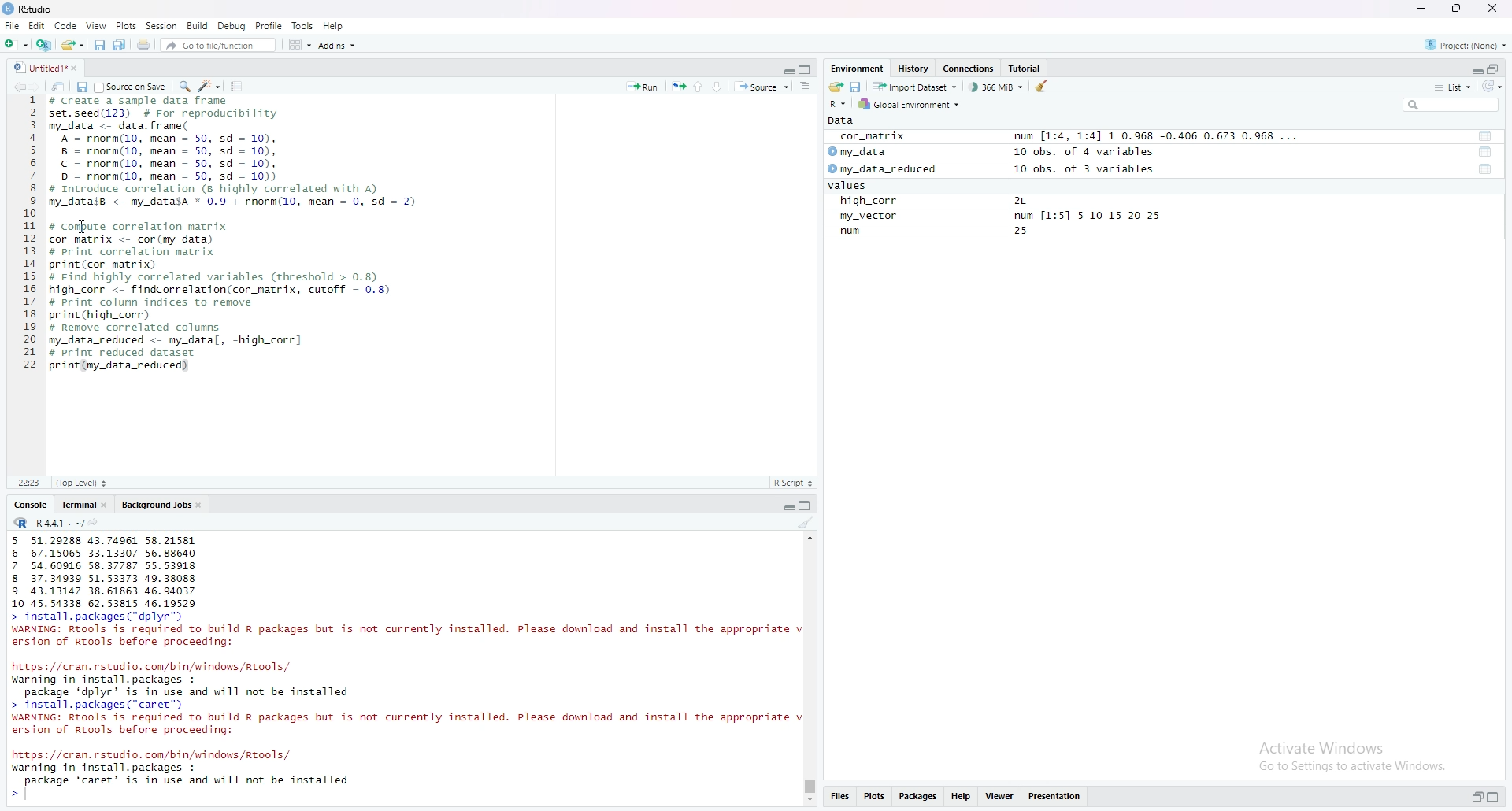 Image resolution: width=1512 pixels, height=811 pixels. I want to click on Connections , so click(970, 68).